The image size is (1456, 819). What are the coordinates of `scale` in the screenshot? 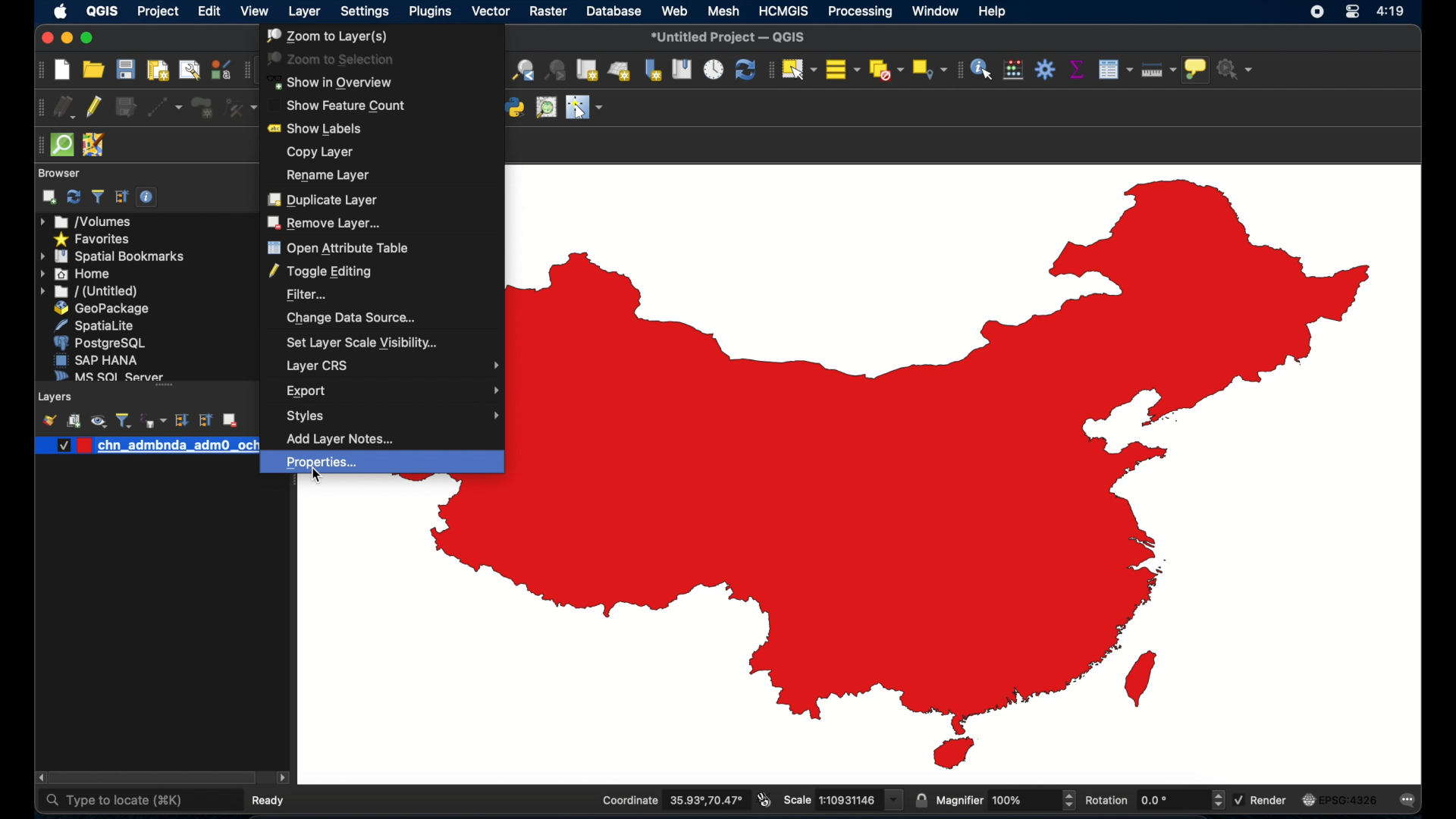 It's located at (842, 800).